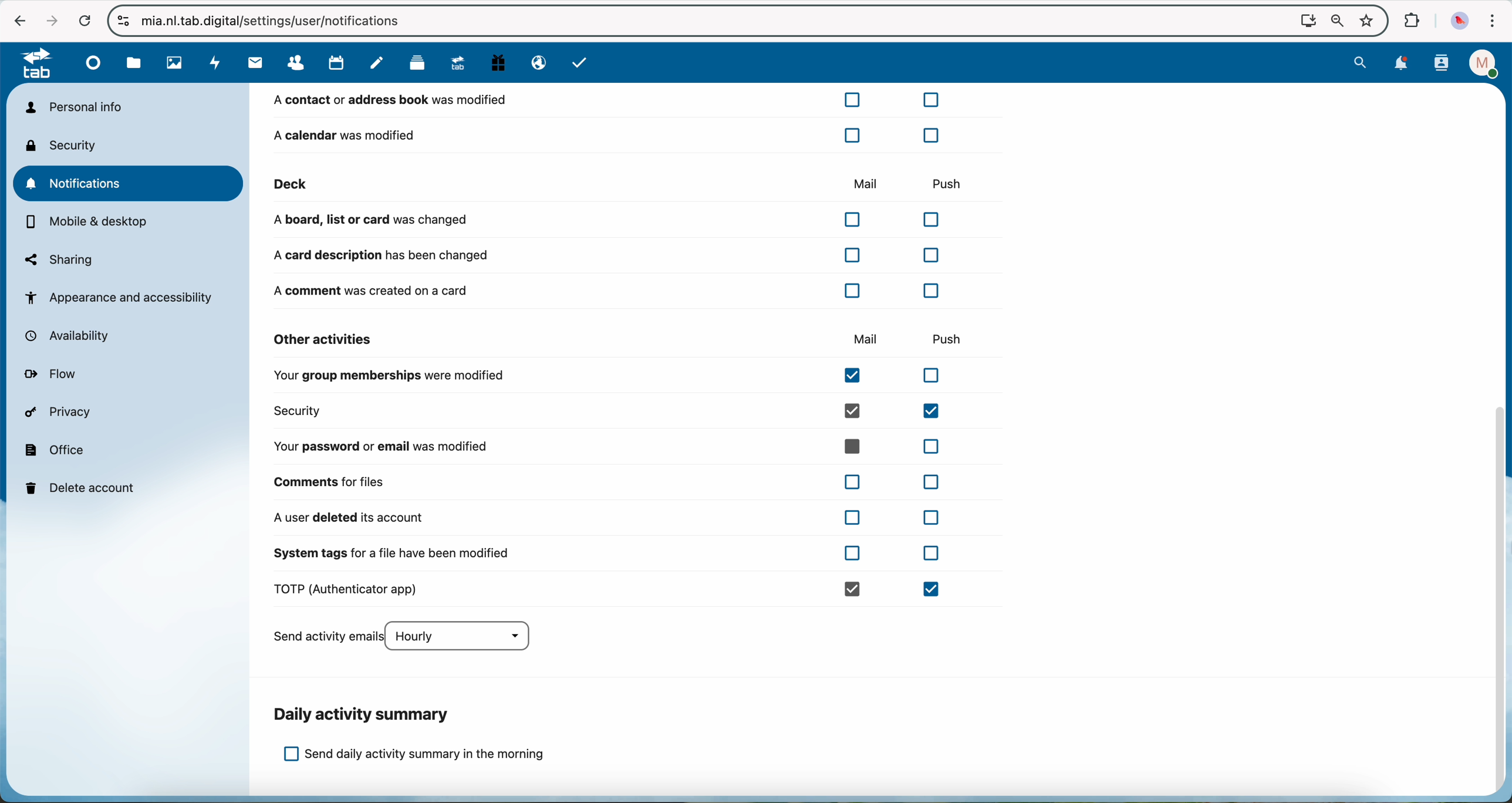 Image resolution: width=1512 pixels, height=803 pixels. Describe the element at coordinates (324, 339) in the screenshot. I see `other activities` at that location.